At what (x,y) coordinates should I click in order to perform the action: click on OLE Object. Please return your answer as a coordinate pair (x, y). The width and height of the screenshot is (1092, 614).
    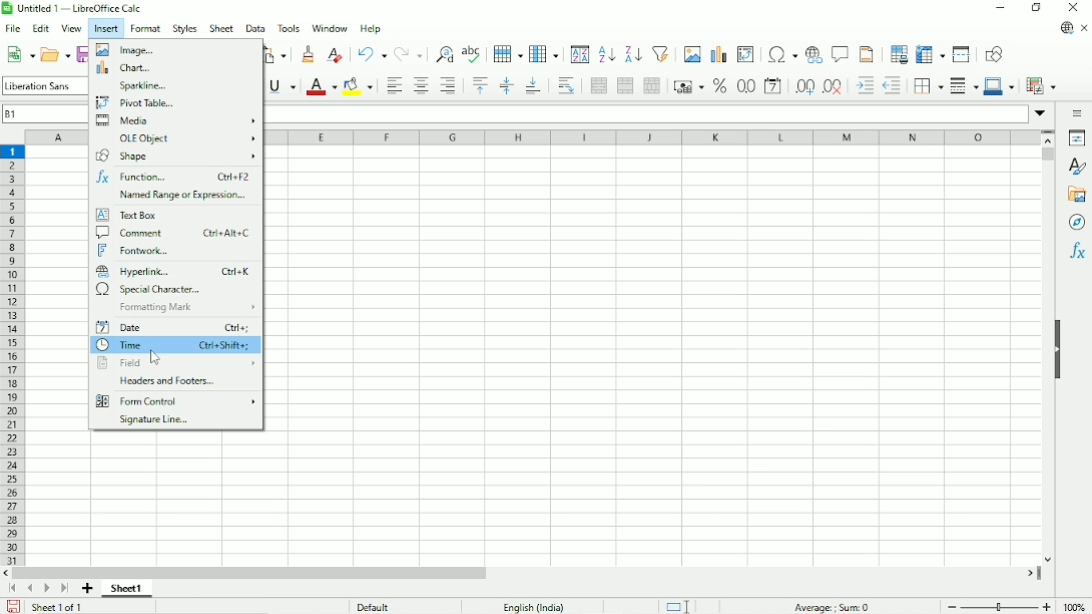
    Looking at the image, I should click on (187, 140).